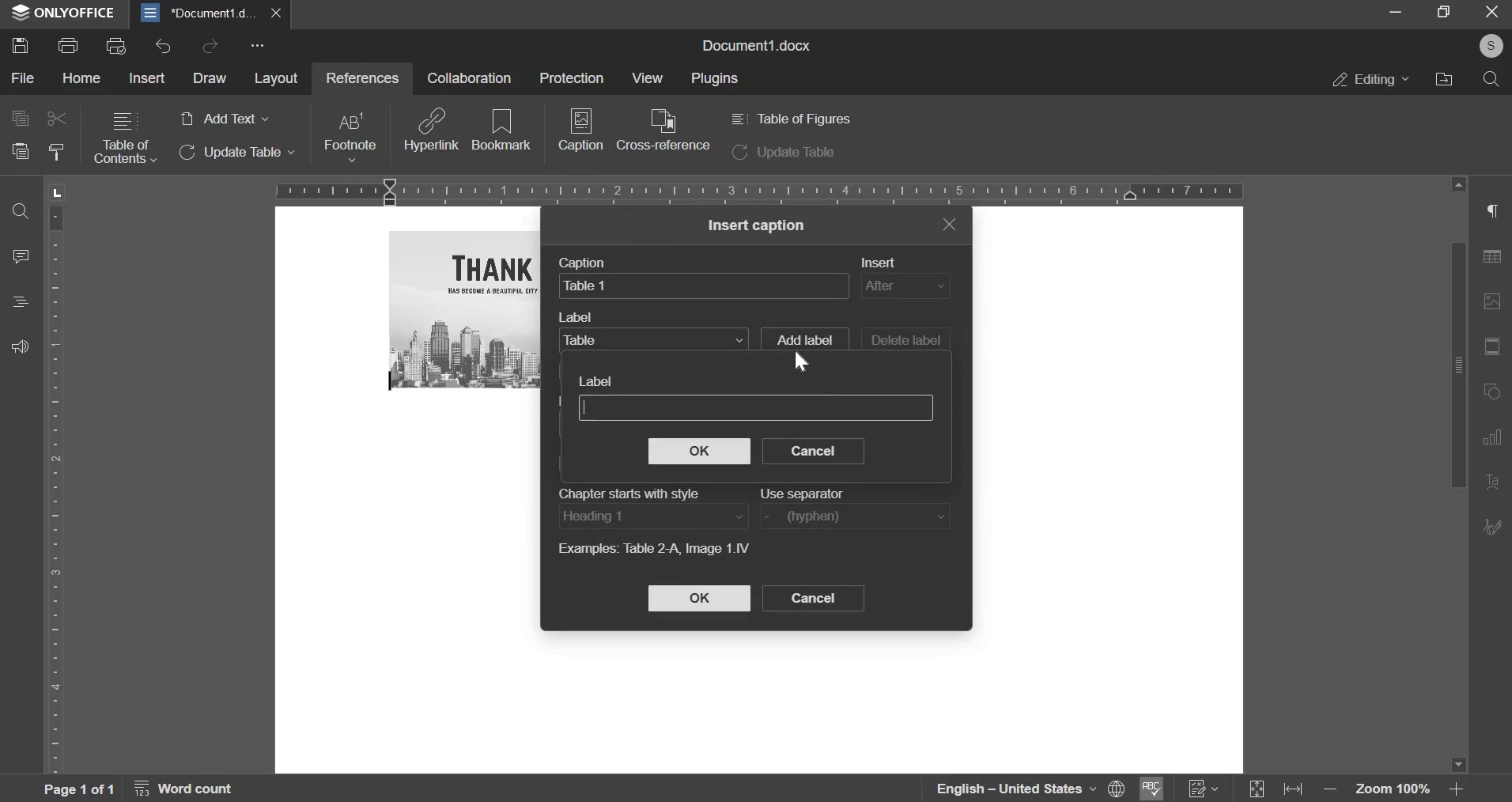 The height and width of the screenshot is (802, 1512). Describe the element at coordinates (19, 117) in the screenshot. I see `copy` at that location.